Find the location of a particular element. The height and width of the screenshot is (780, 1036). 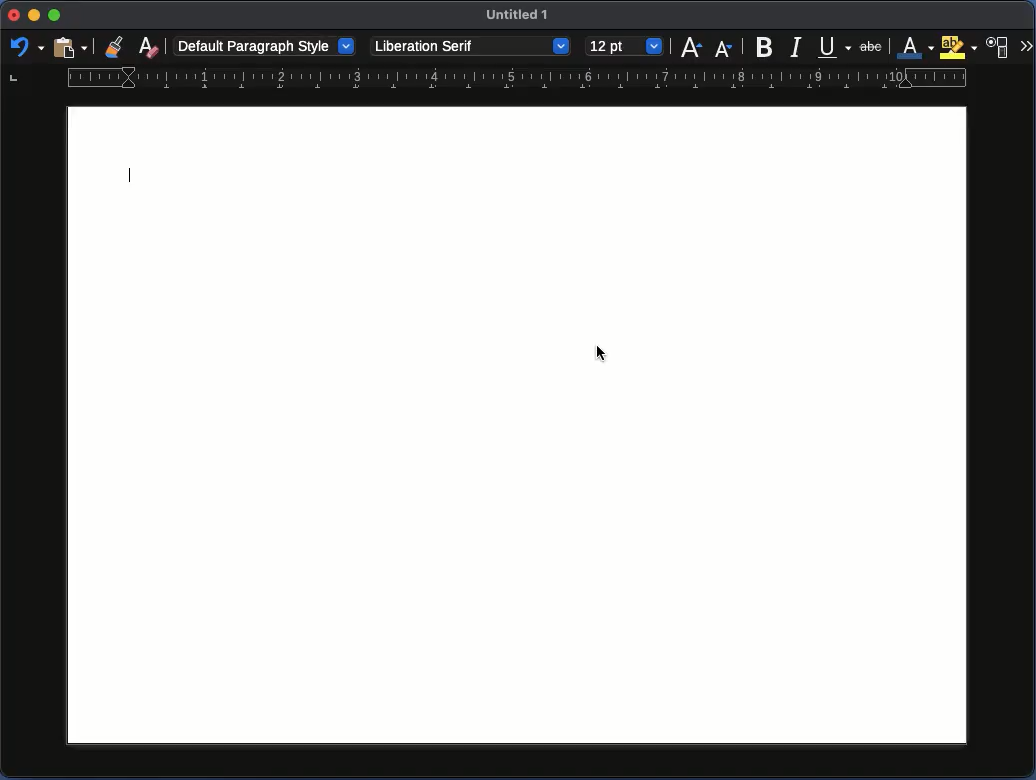

Underline is located at coordinates (835, 46).